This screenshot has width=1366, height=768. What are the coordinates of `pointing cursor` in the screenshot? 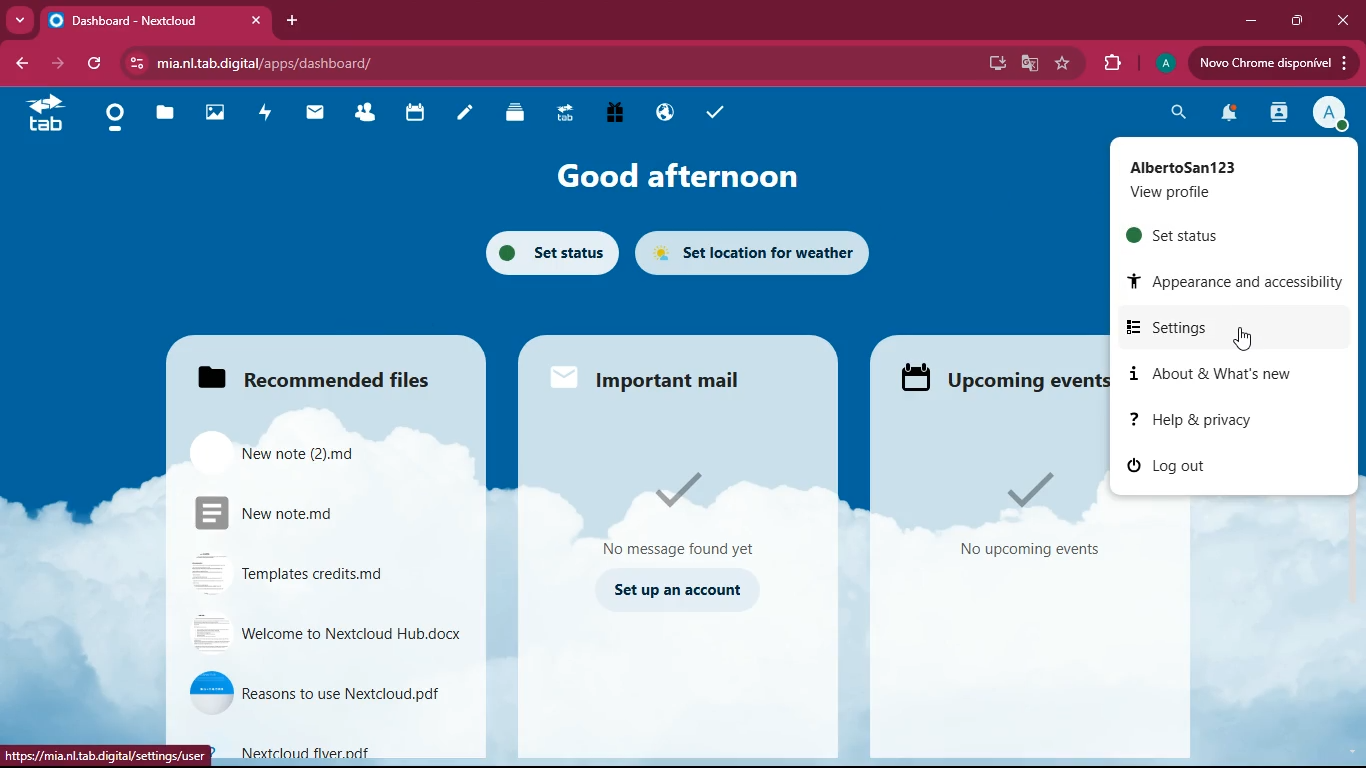 It's located at (1245, 338).